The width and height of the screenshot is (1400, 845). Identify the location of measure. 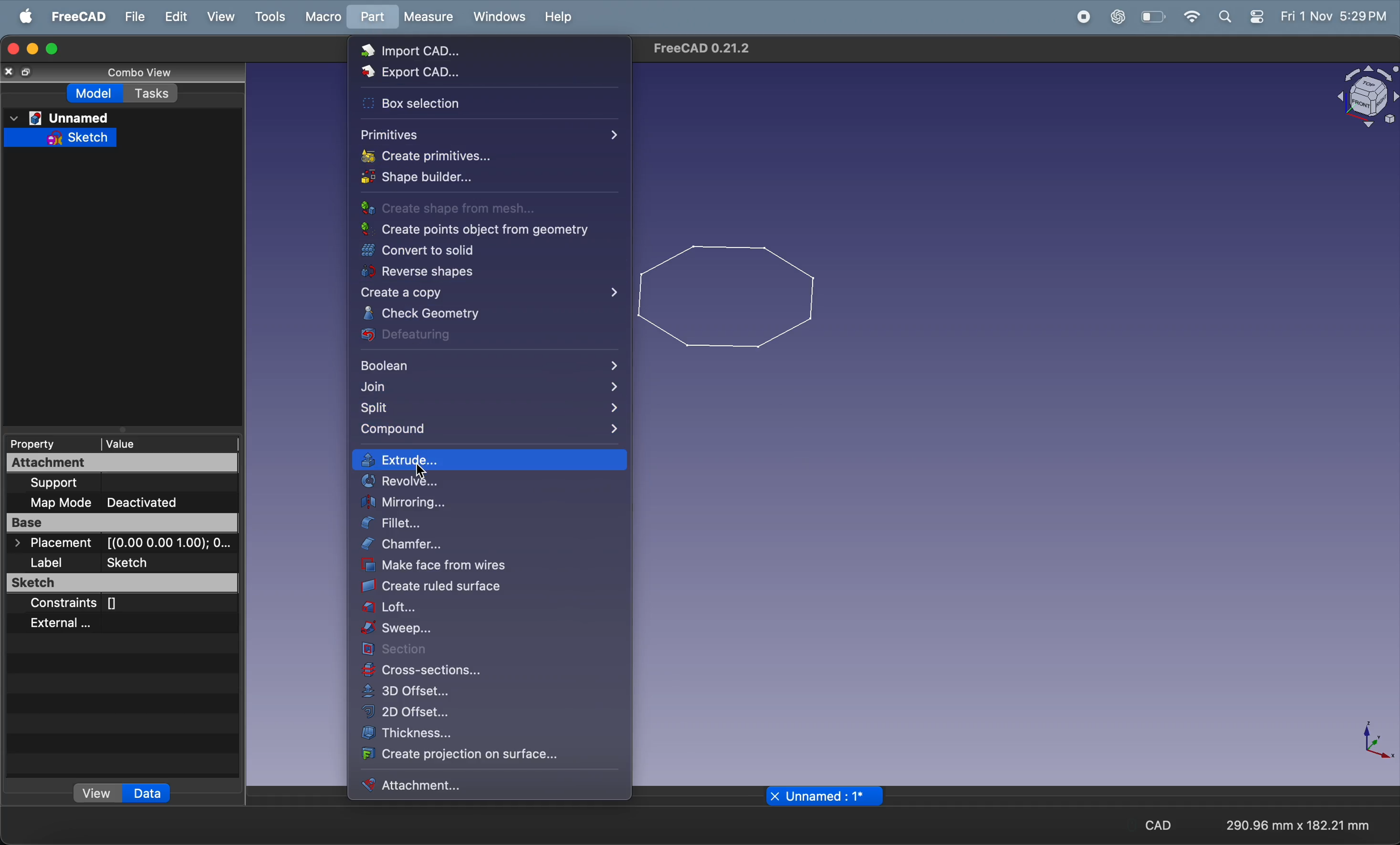
(429, 16).